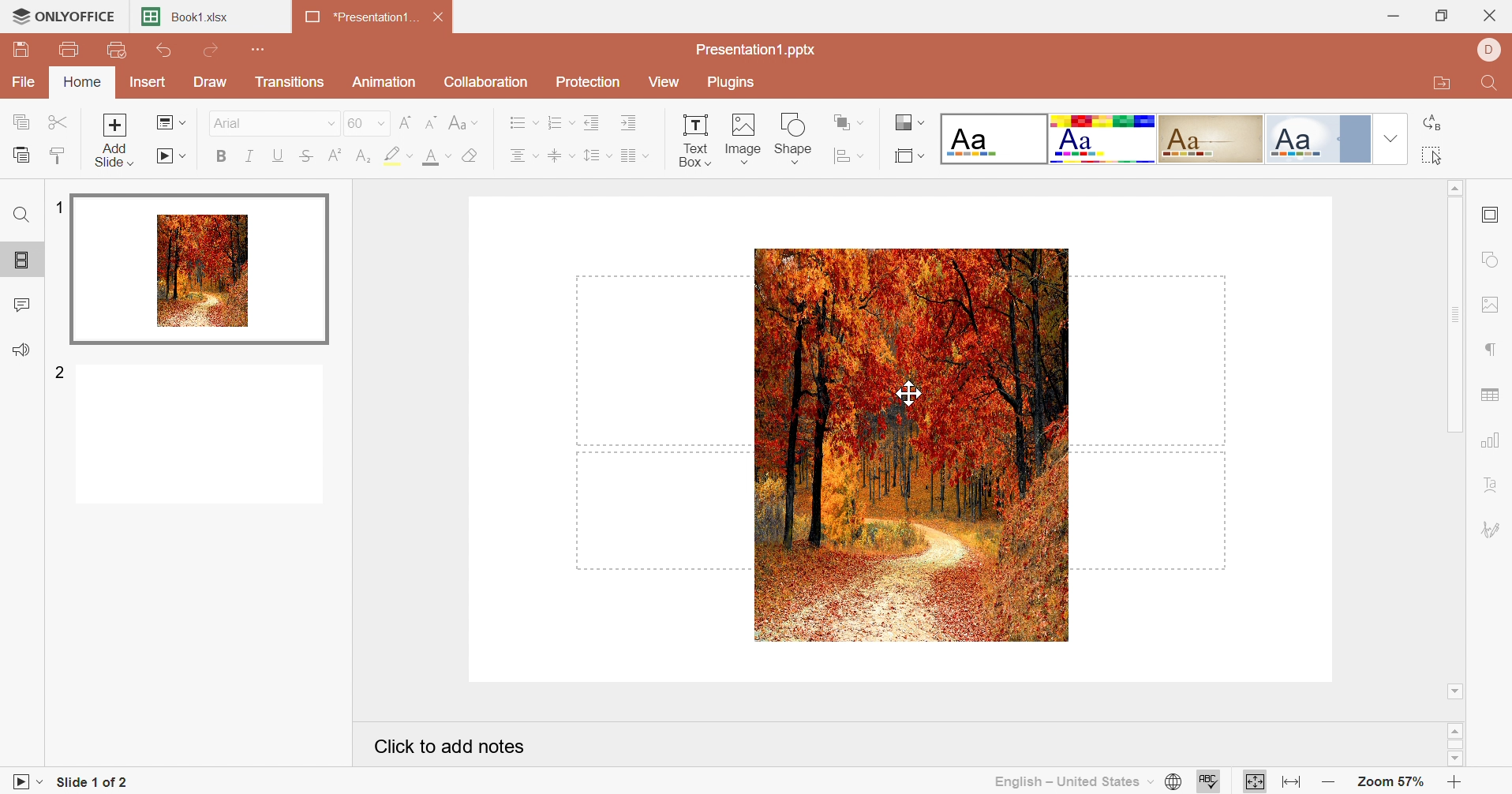 The height and width of the screenshot is (794, 1512). Describe the element at coordinates (24, 82) in the screenshot. I see `File` at that location.